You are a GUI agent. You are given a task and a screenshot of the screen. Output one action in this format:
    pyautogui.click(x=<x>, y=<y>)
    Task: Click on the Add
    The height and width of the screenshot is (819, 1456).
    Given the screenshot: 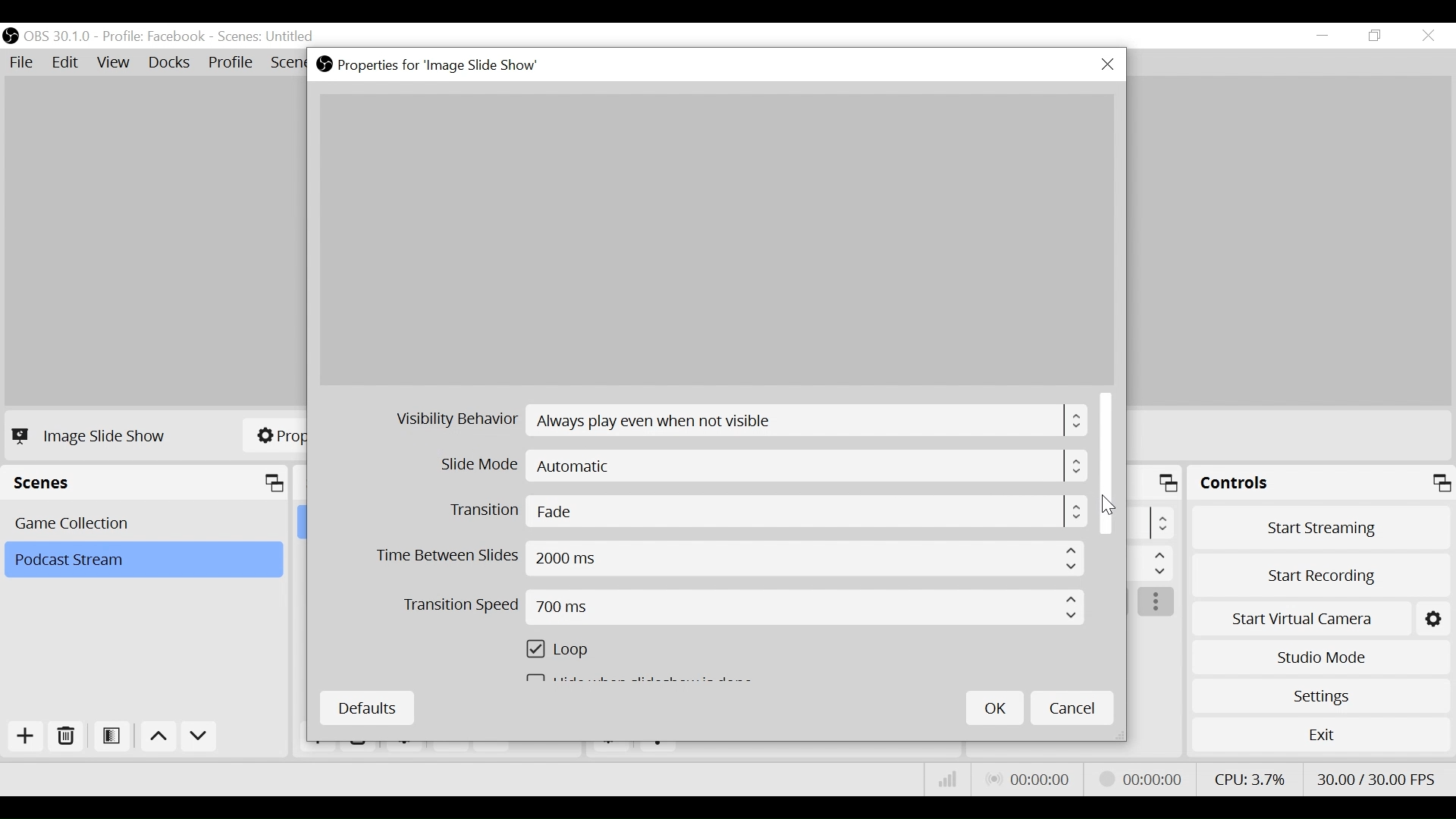 What is the action you would take?
    pyautogui.click(x=24, y=736)
    